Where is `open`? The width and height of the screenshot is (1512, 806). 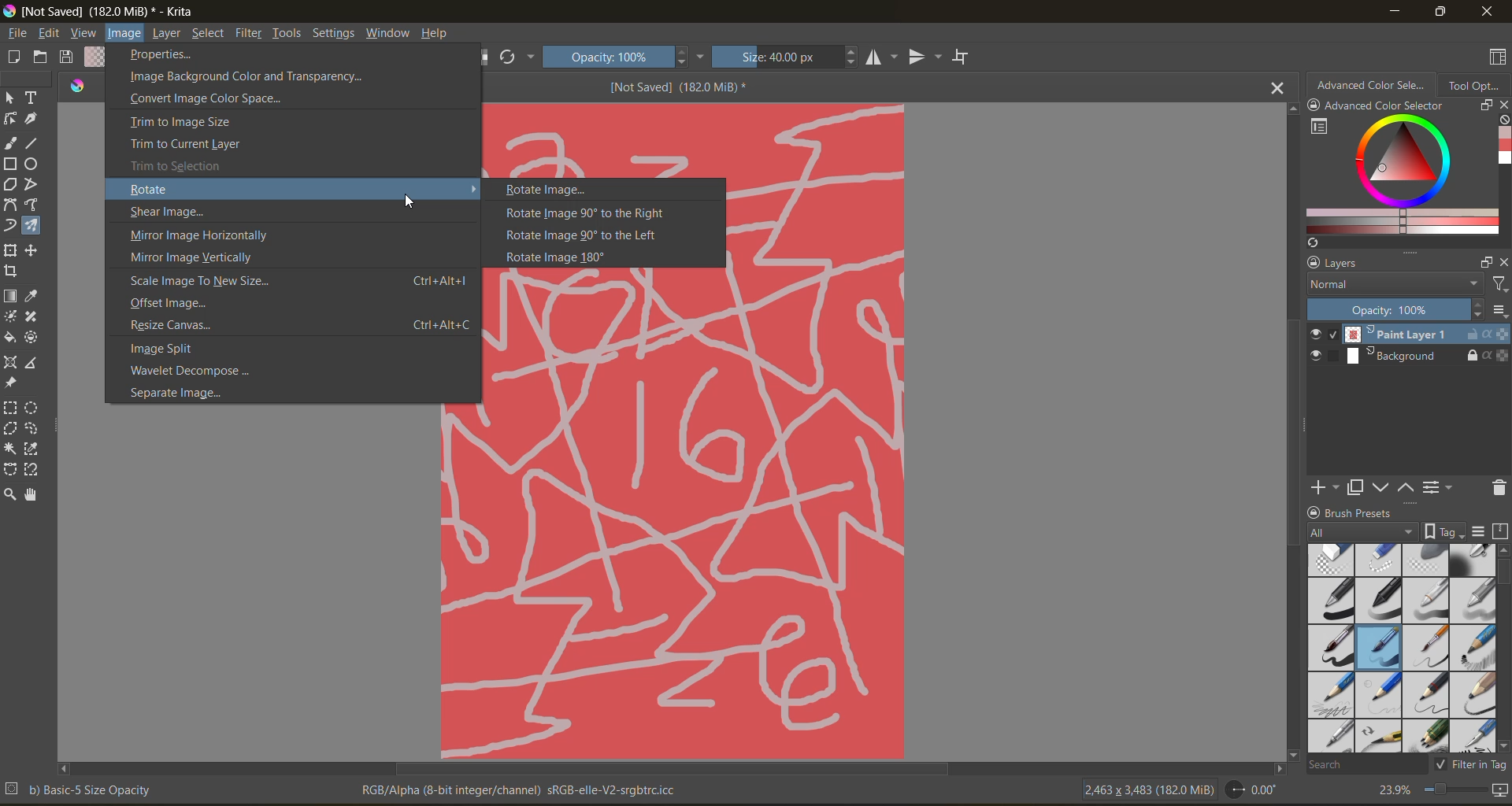
open is located at coordinates (43, 57).